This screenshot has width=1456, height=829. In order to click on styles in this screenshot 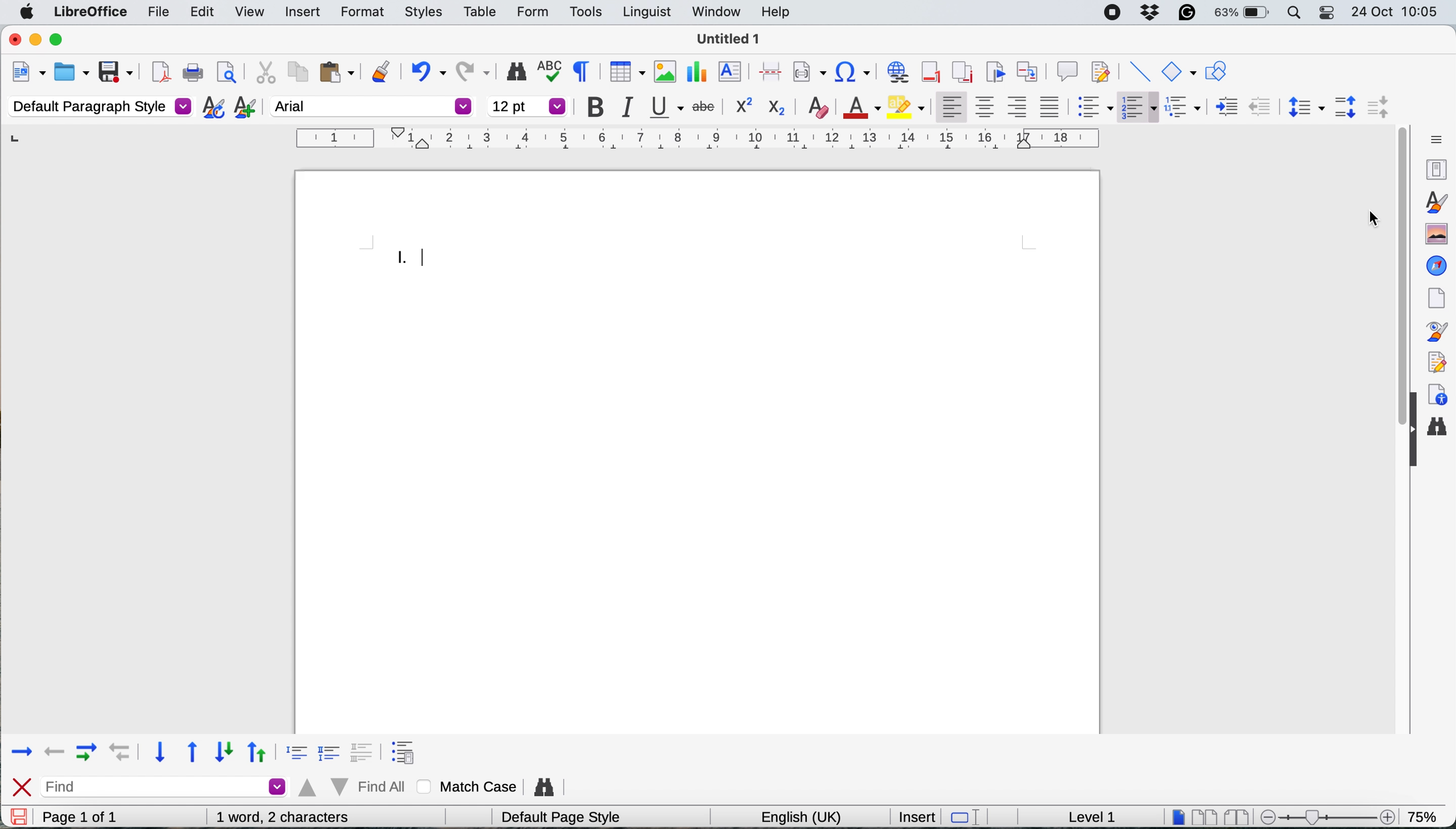, I will do `click(1434, 200)`.